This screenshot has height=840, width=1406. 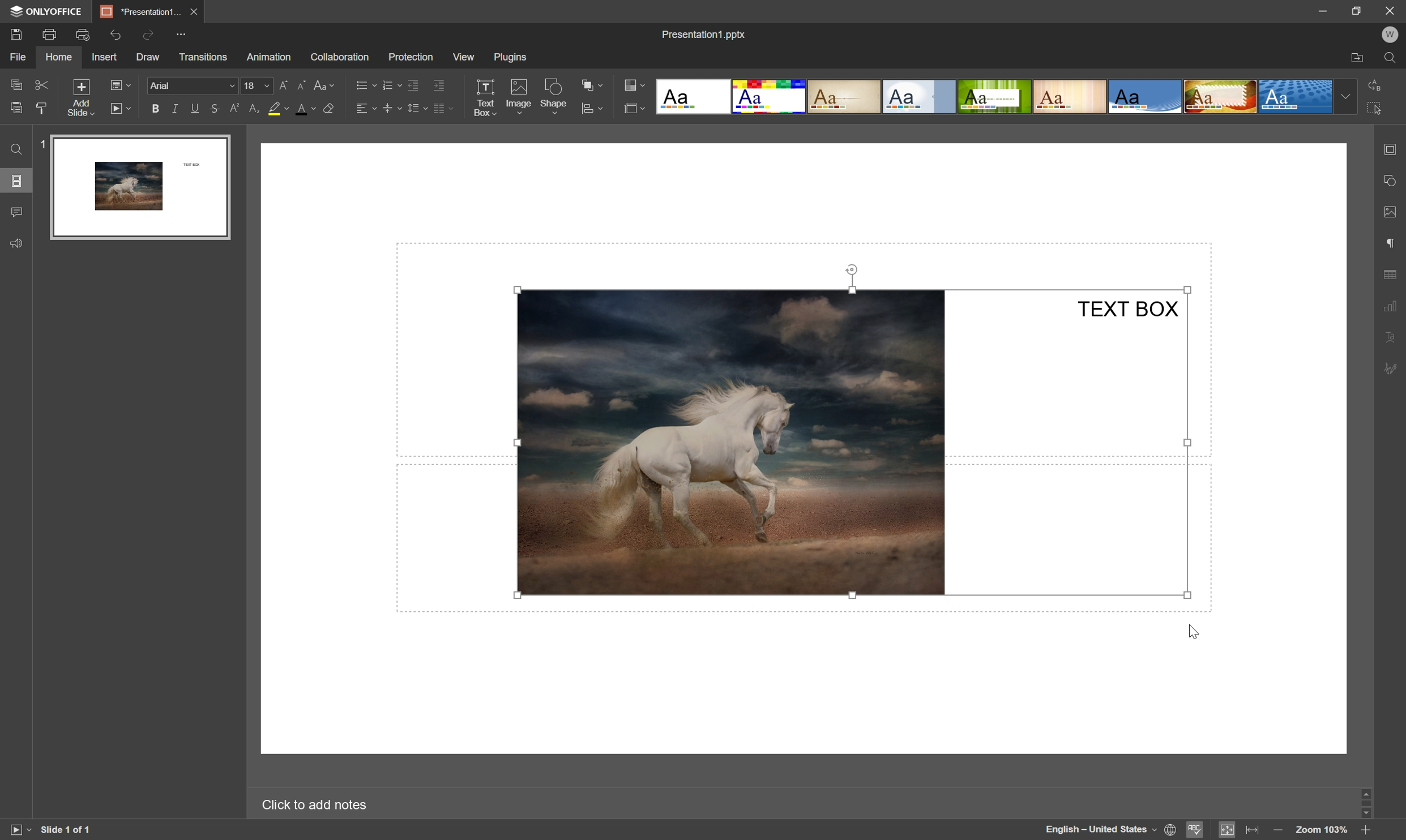 What do you see at coordinates (140, 187) in the screenshot?
I see `slide` at bounding box center [140, 187].